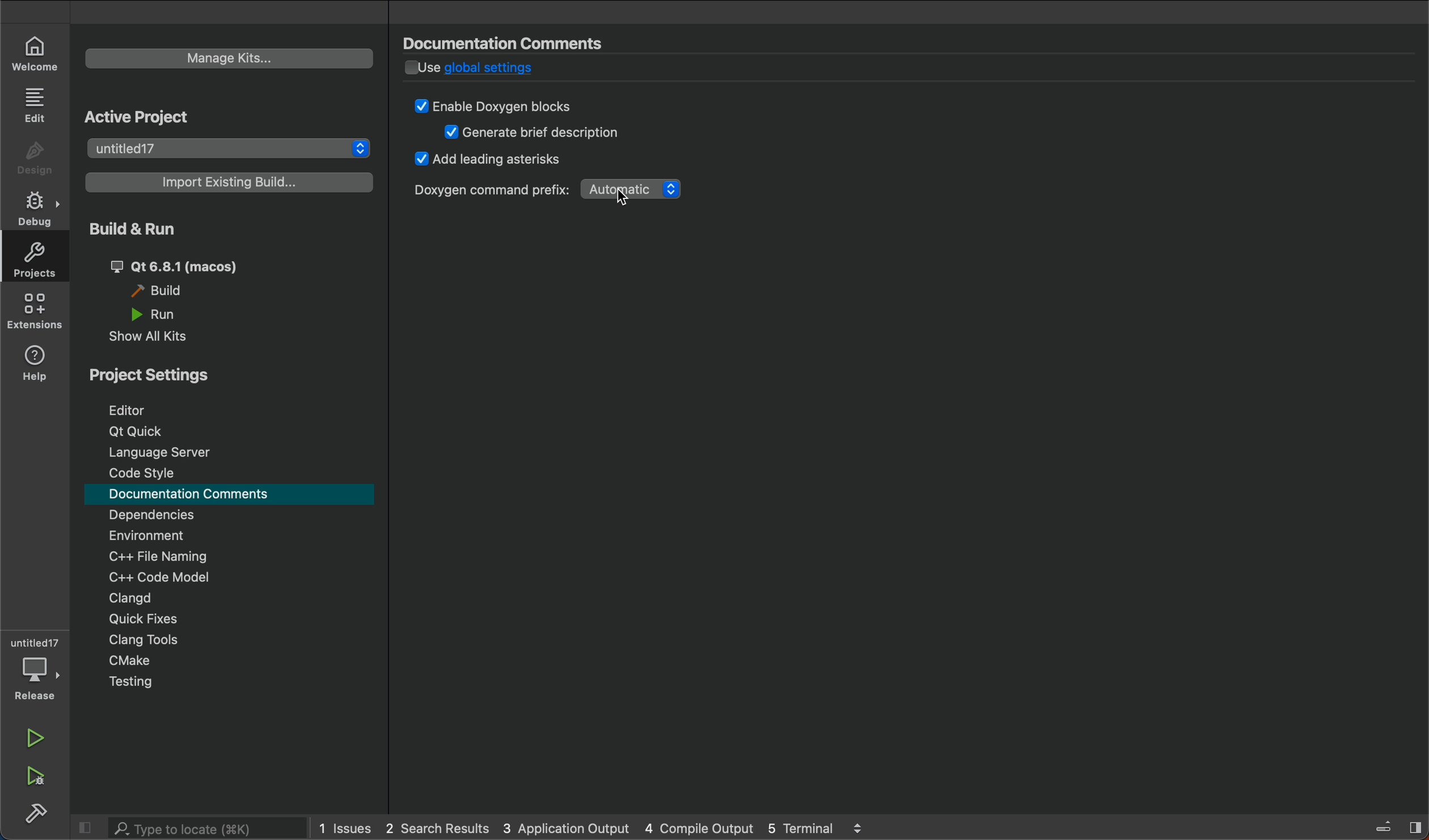 Image resolution: width=1429 pixels, height=840 pixels. What do you see at coordinates (129, 658) in the screenshot?
I see `cmake` at bounding box center [129, 658].